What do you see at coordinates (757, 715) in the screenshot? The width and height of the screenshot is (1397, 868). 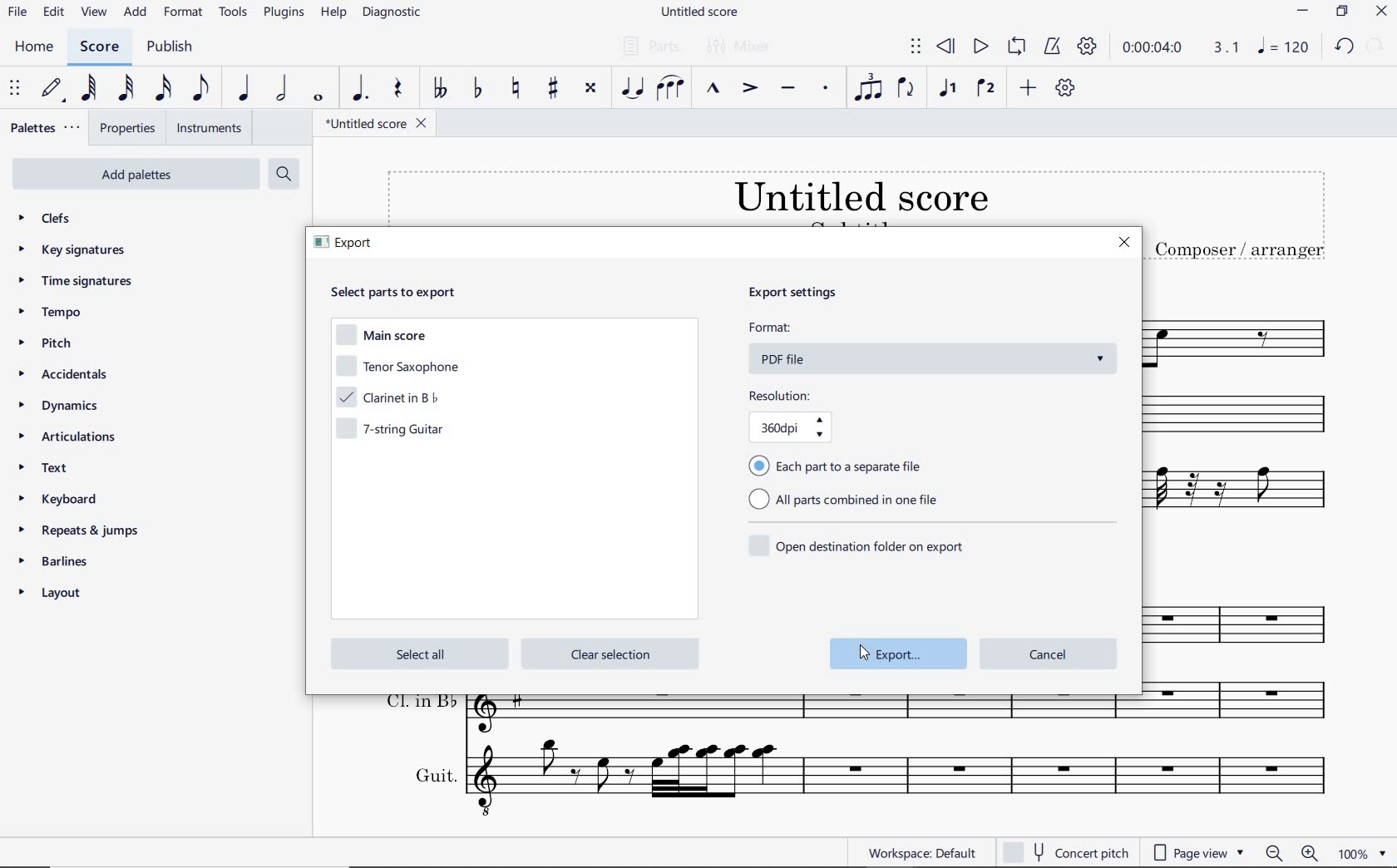 I see `Cl. in B` at bounding box center [757, 715].